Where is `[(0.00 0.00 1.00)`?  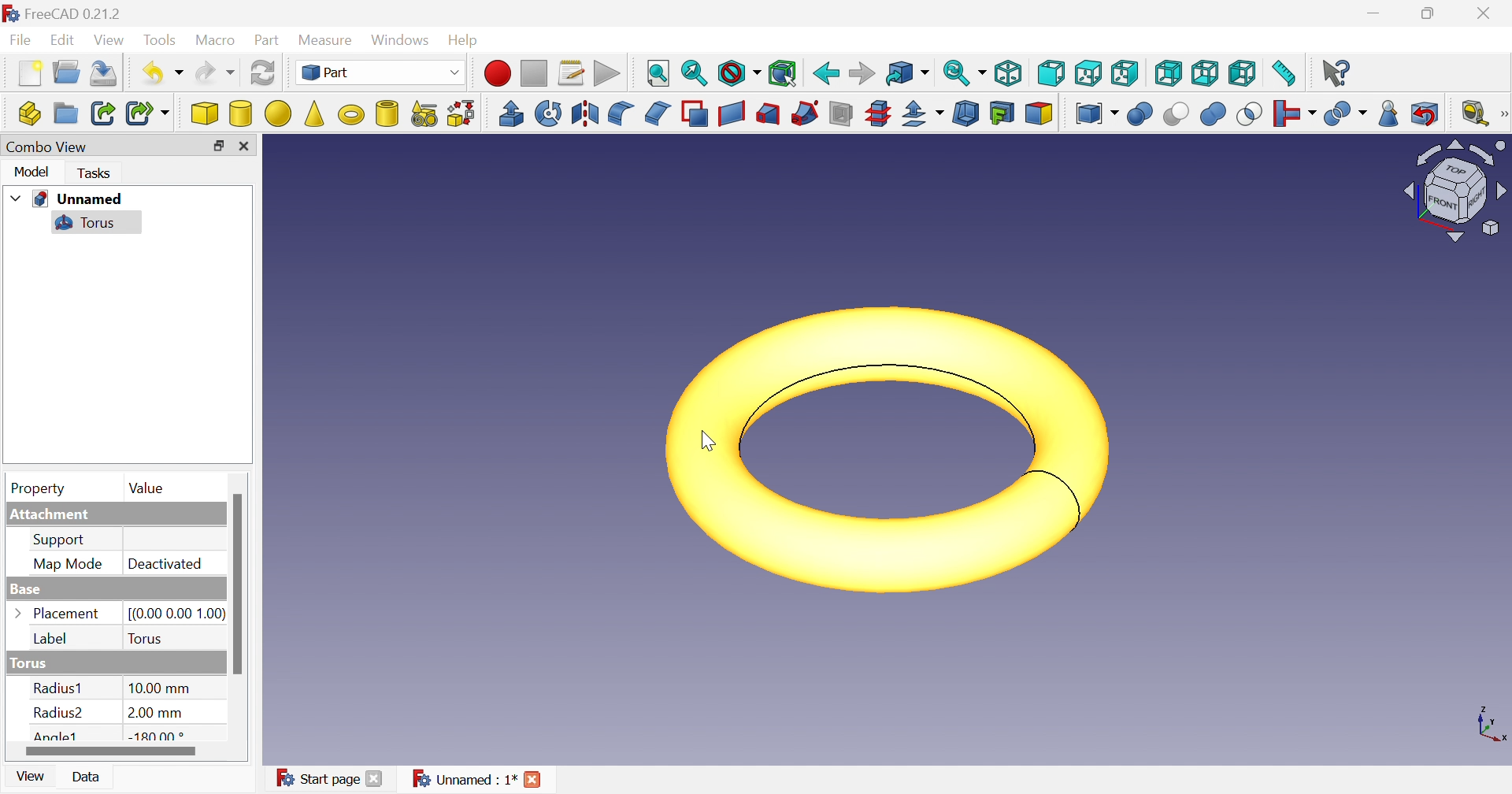
[(0.00 0.00 1.00) is located at coordinates (173, 611).